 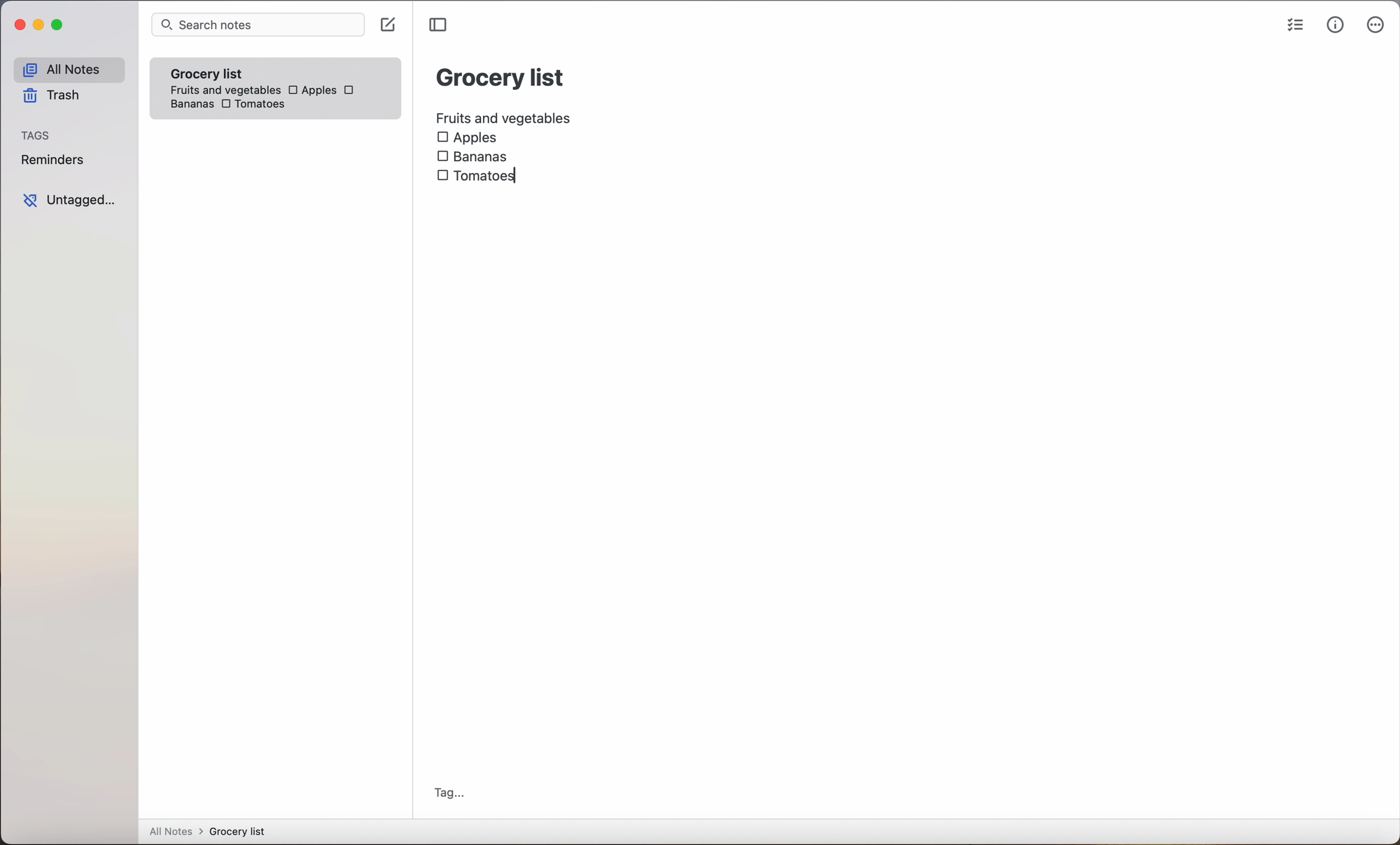 I want to click on Apples checkbox, so click(x=467, y=138).